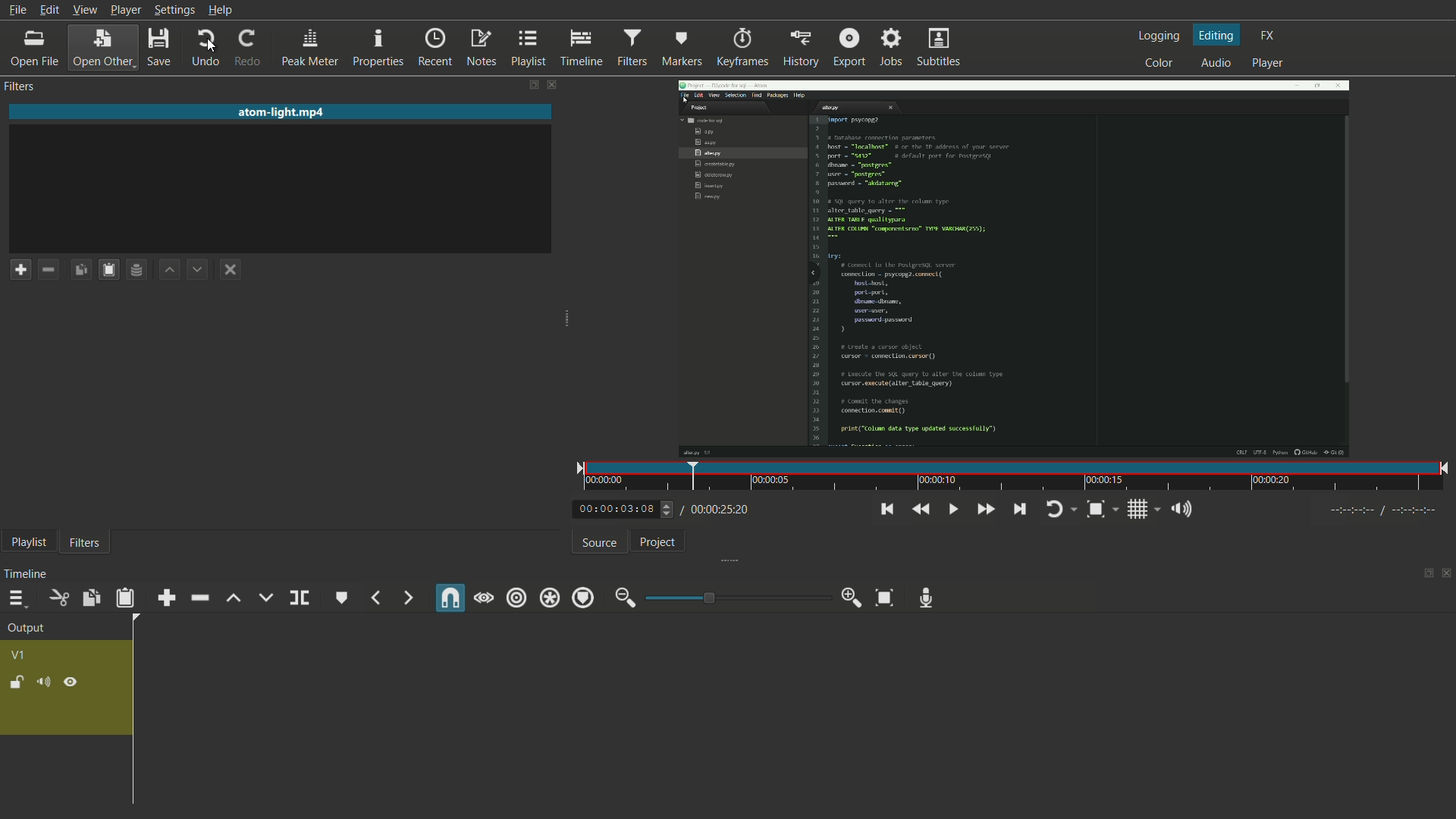  Describe the element at coordinates (162, 47) in the screenshot. I see `Save` at that location.